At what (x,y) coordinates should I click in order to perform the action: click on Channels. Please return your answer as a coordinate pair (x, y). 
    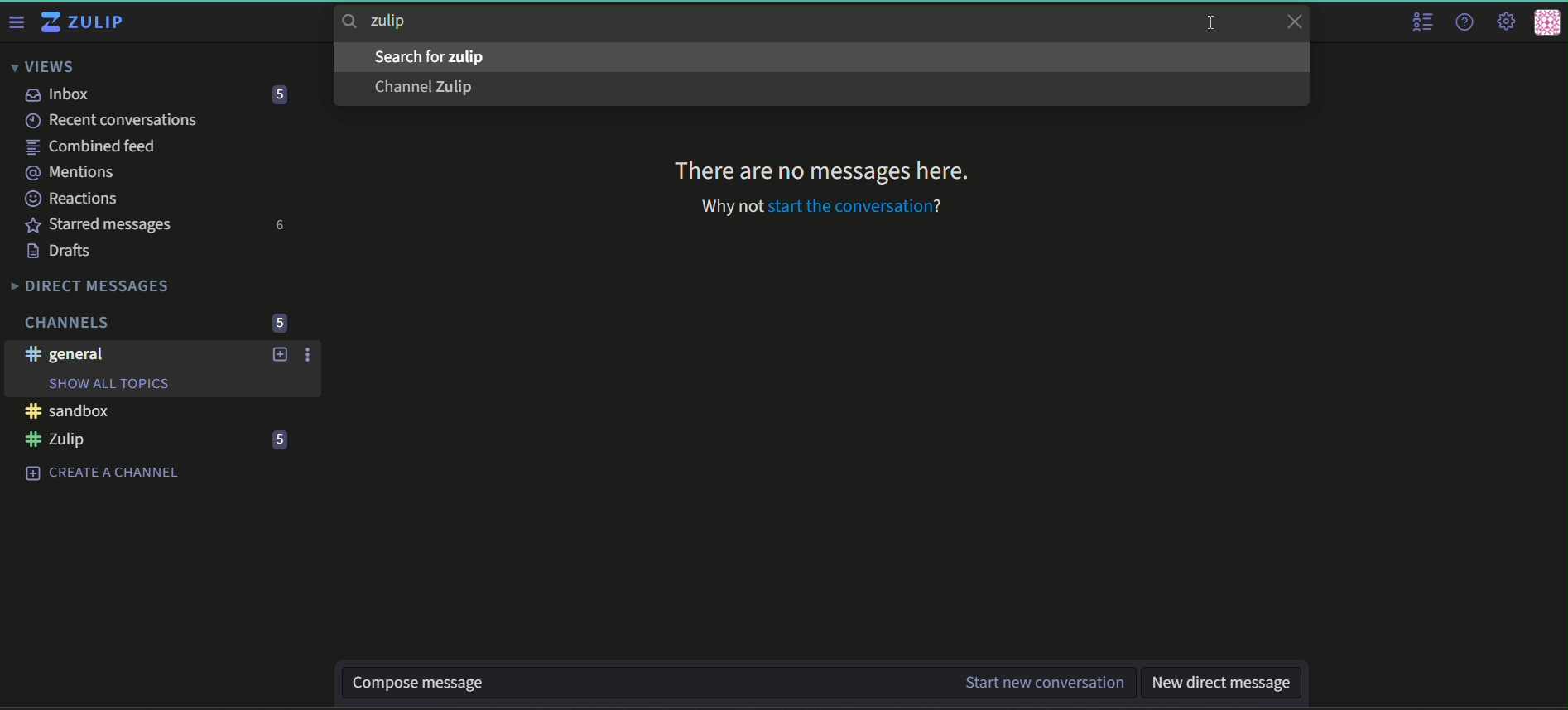
    Looking at the image, I should click on (70, 322).